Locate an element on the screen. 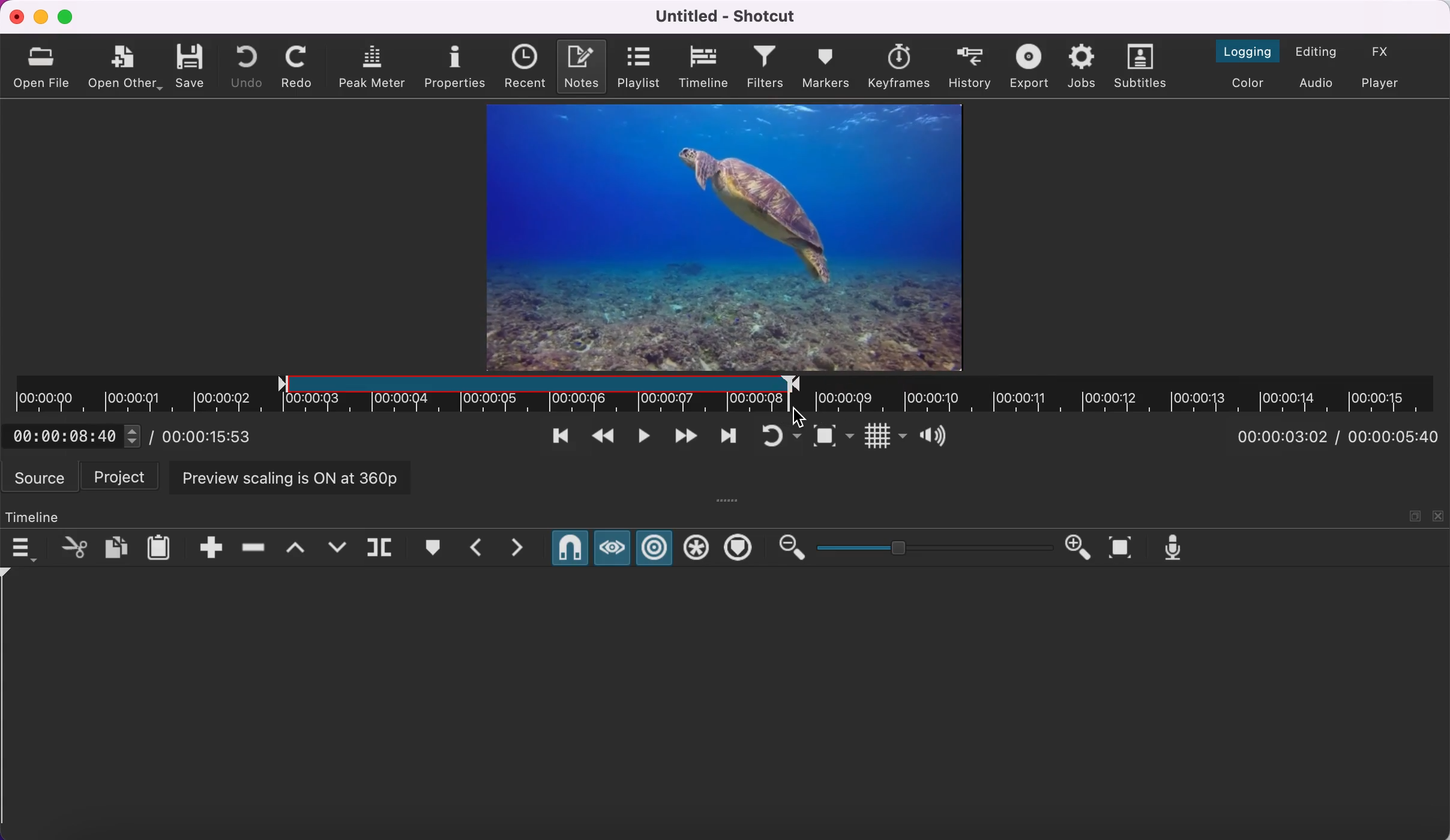 The image size is (1450, 840). project is located at coordinates (121, 477).